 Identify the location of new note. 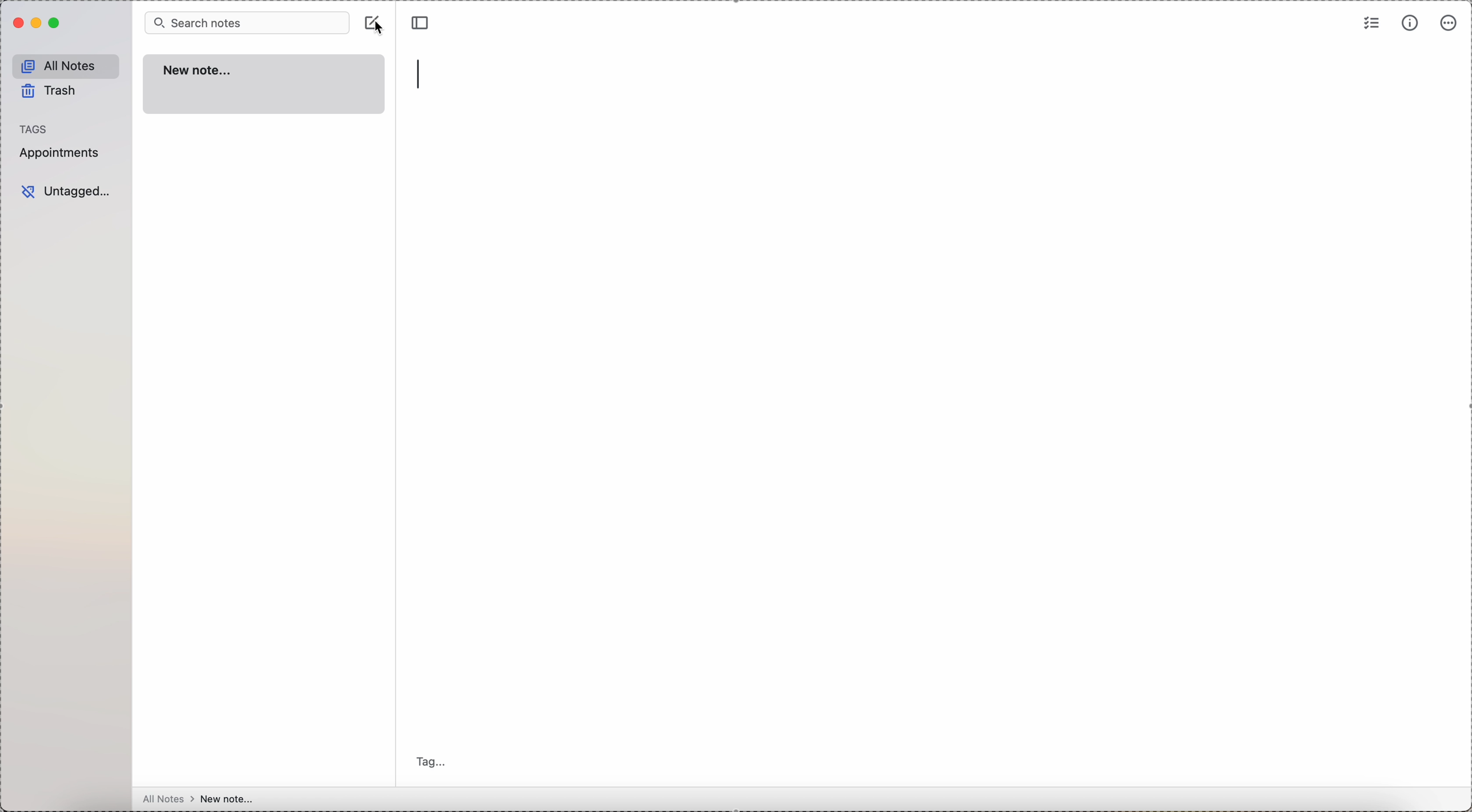
(264, 85).